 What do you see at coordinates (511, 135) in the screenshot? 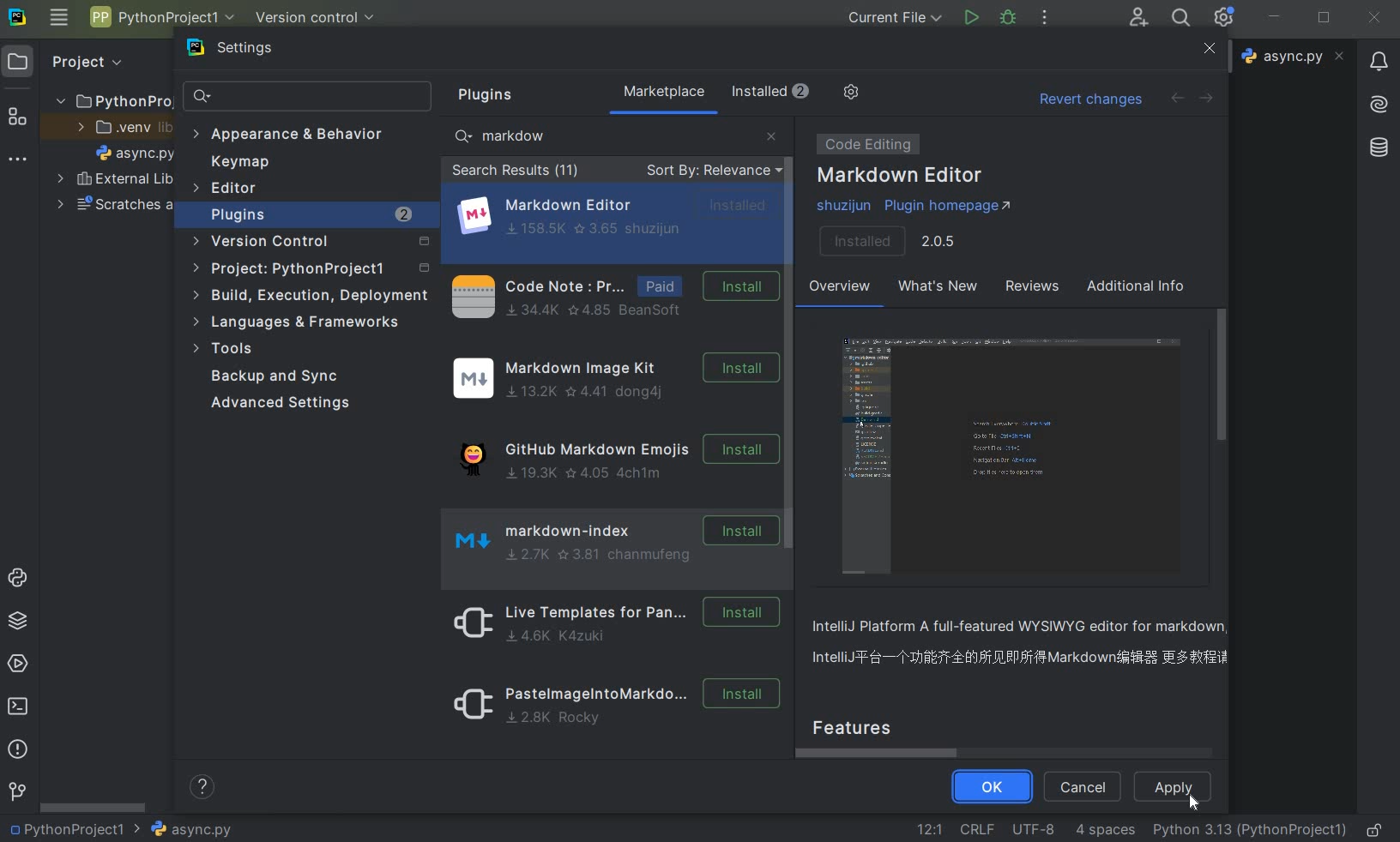
I see `markdown` at bounding box center [511, 135].